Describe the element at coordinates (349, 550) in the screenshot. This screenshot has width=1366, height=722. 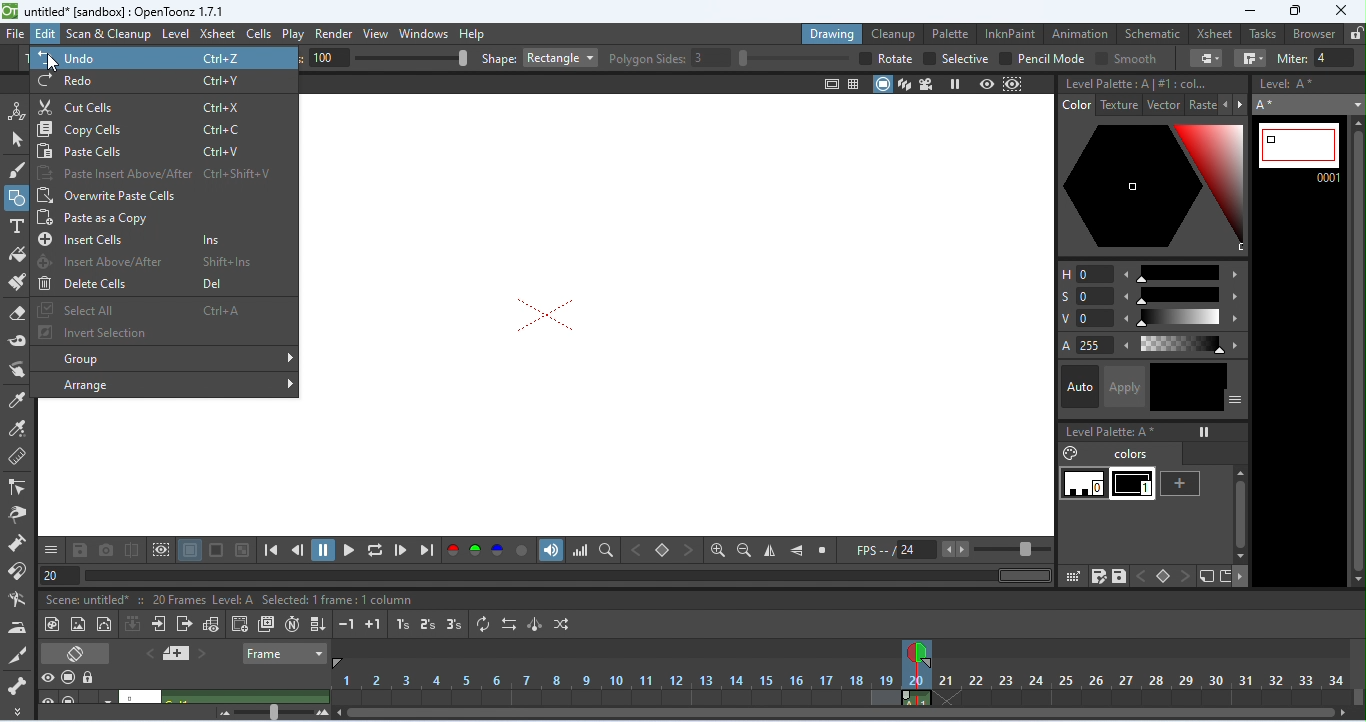
I see `play` at that location.